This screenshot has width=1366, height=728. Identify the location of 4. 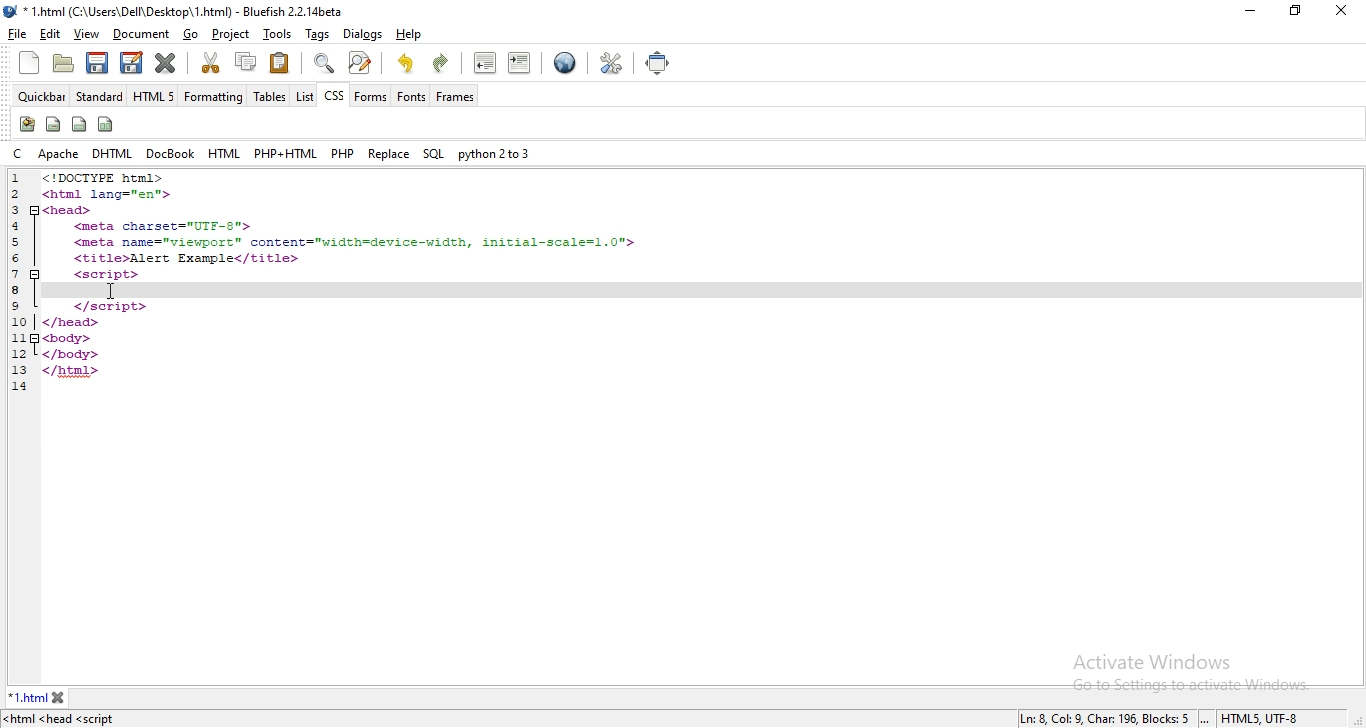
(19, 225).